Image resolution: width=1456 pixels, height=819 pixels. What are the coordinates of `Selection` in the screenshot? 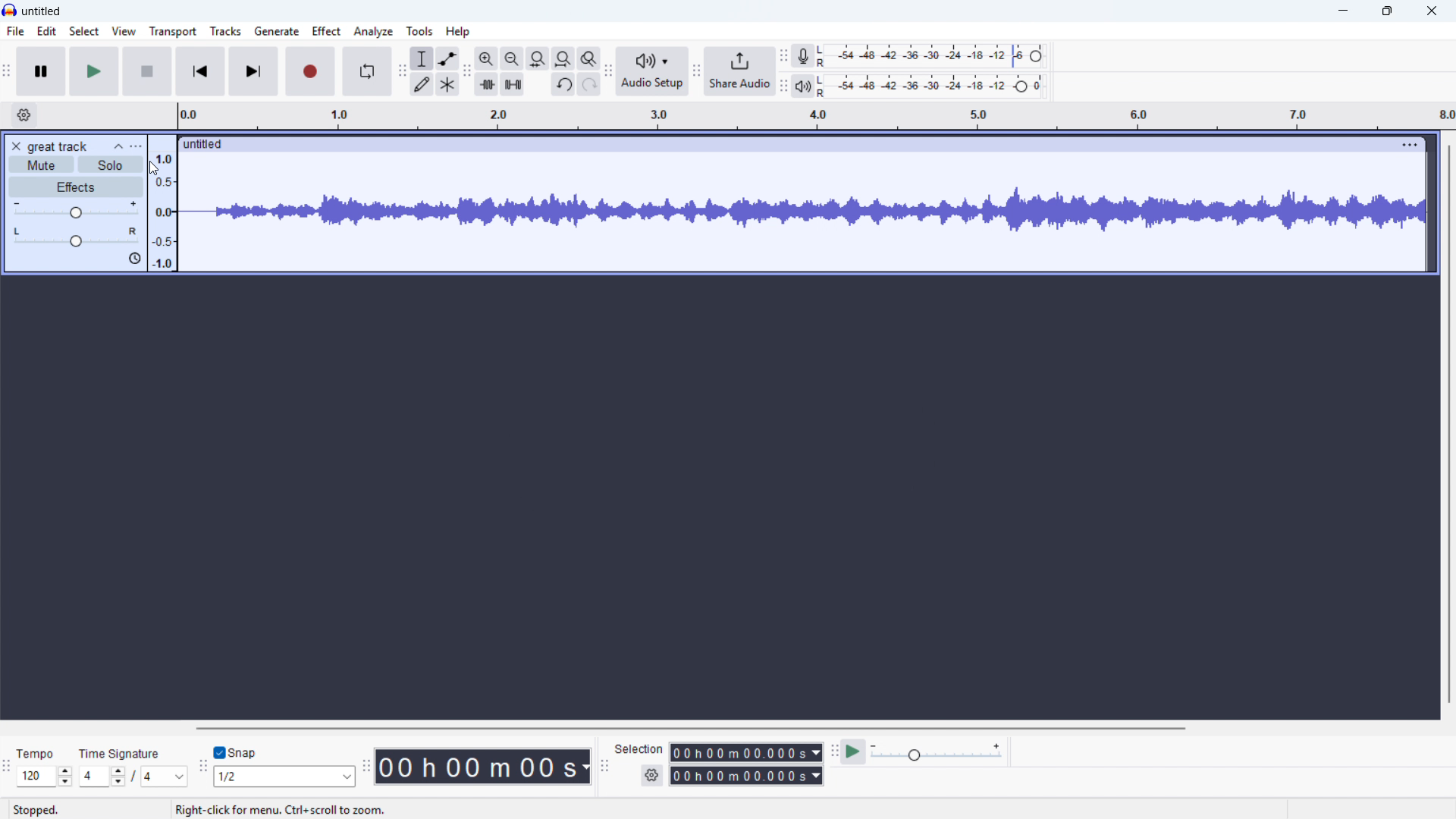 It's located at (640, 749).